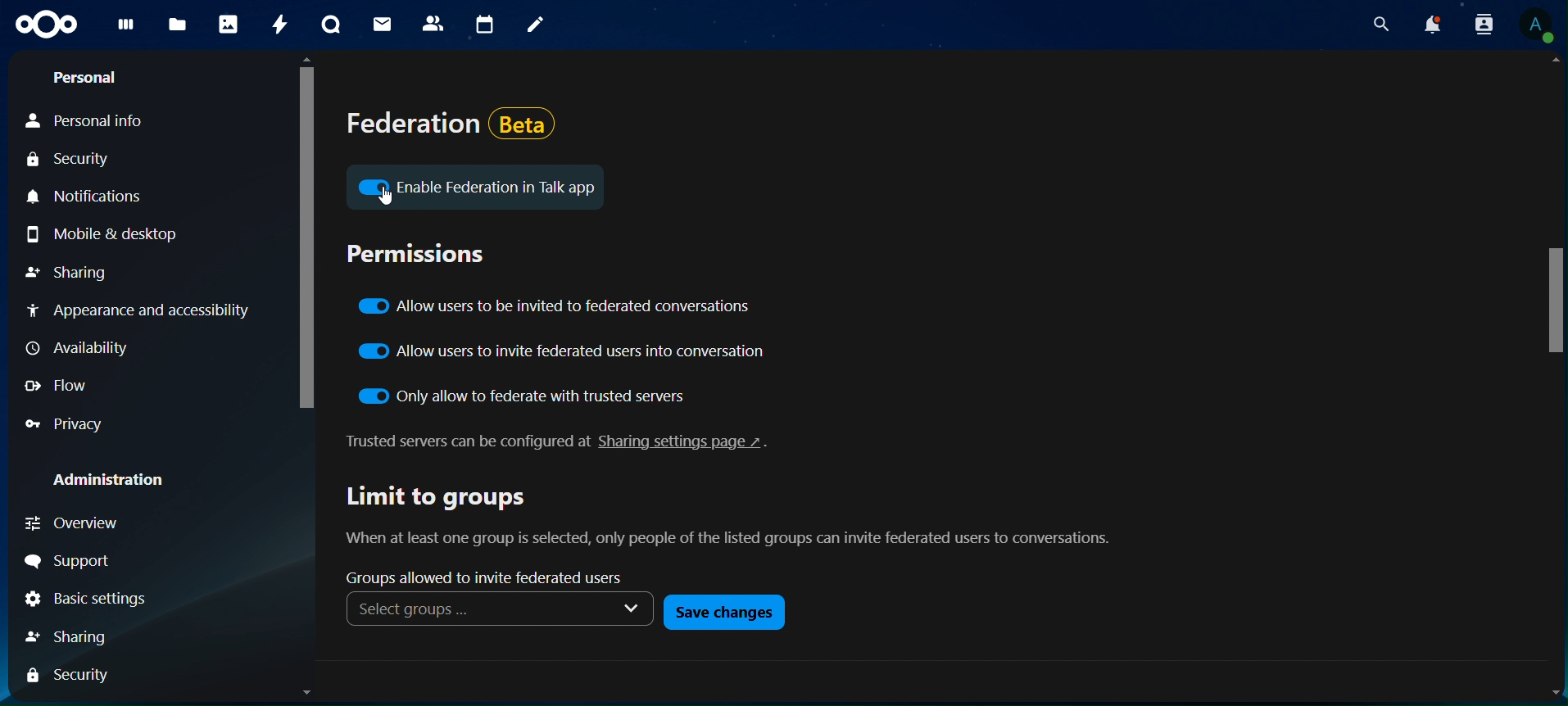 The image size is (1568, 706). Describe the element at coordinates (523, 396) in the screenshot. I see `only allow to federate with trusted servers` at that location.